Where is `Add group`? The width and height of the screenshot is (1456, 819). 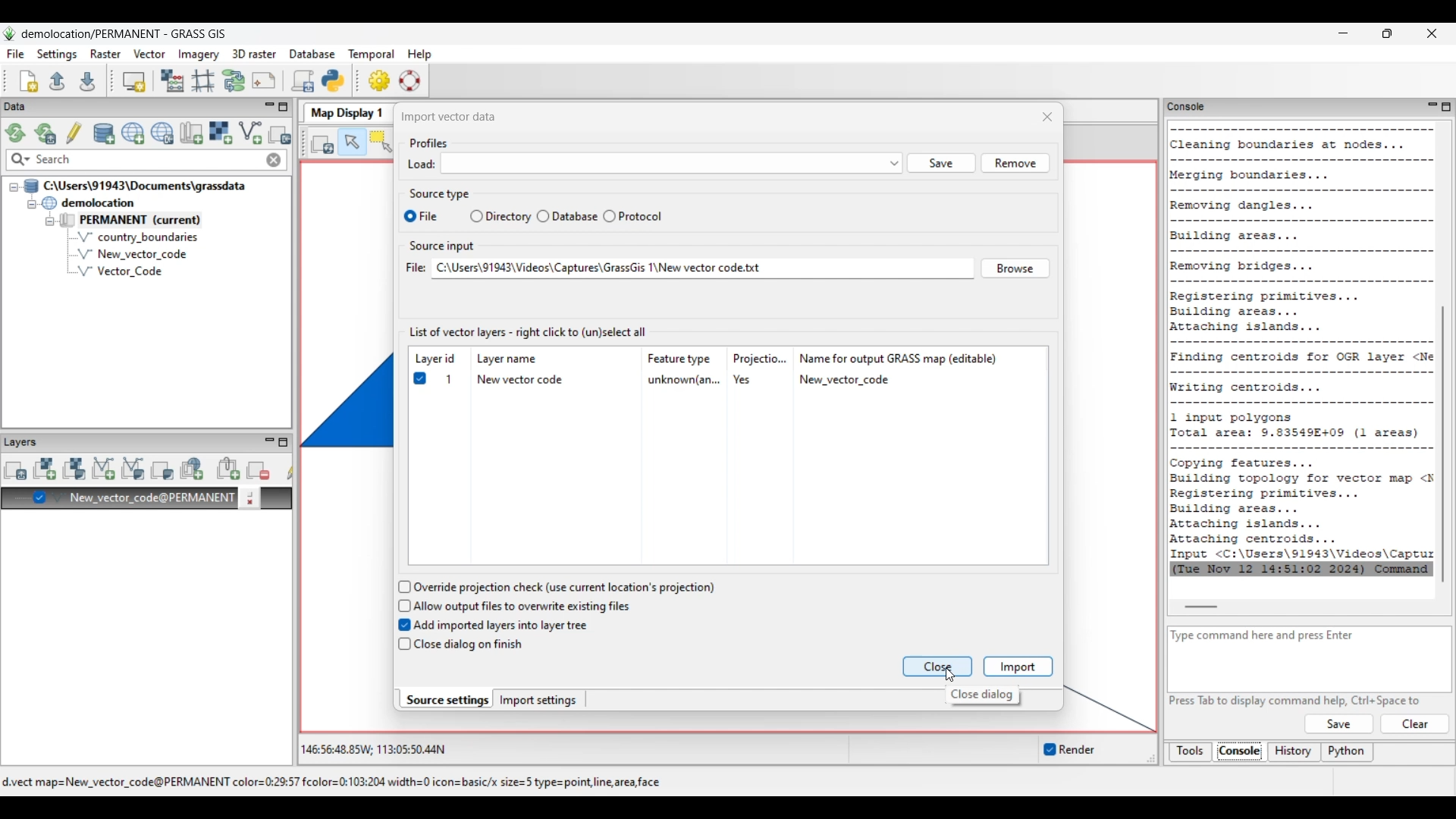 Add group is located at coordinates (228, 469).